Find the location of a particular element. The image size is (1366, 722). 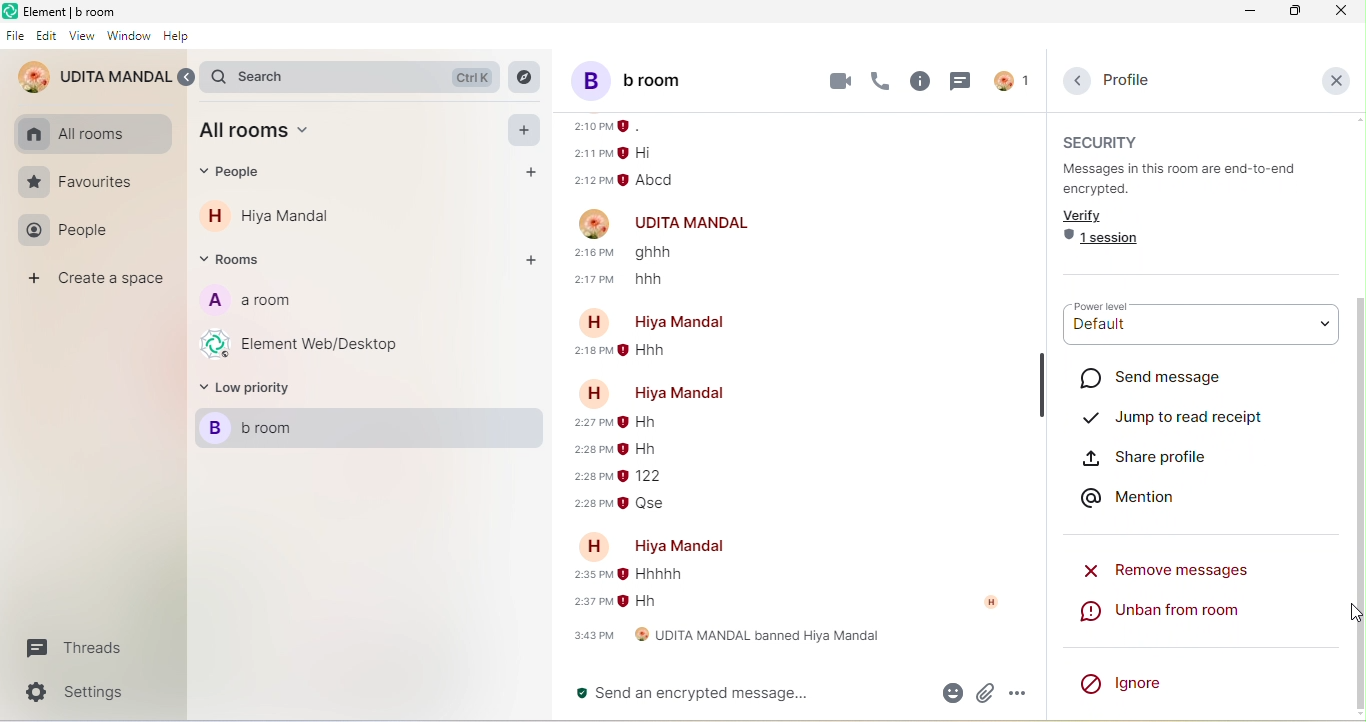

voice call is located at coordinates (881, 82).